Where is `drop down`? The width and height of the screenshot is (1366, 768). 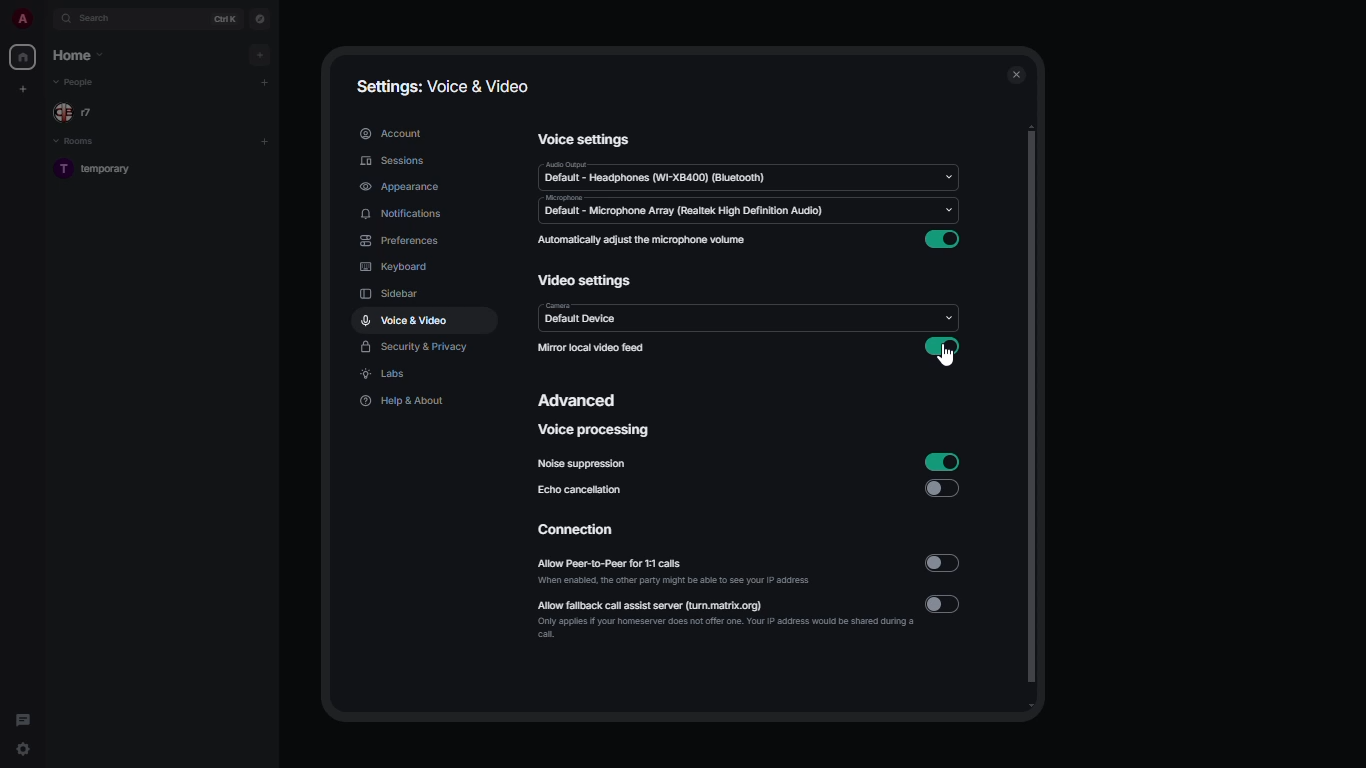 drop down is located at coordinates (948, 176).